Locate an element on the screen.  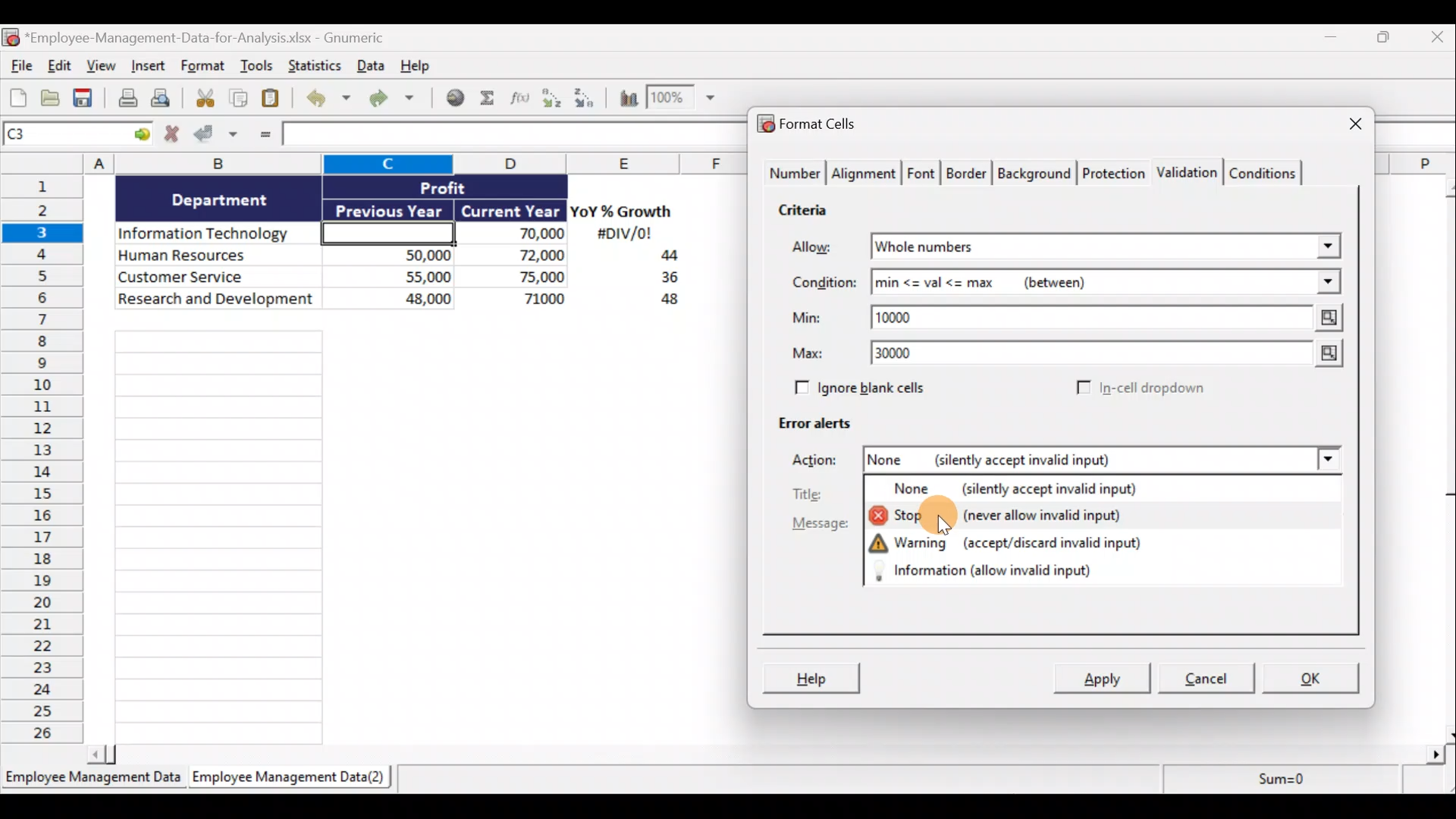
Warning (accept/discard invalid input) is located at coordinates (1006, 542).